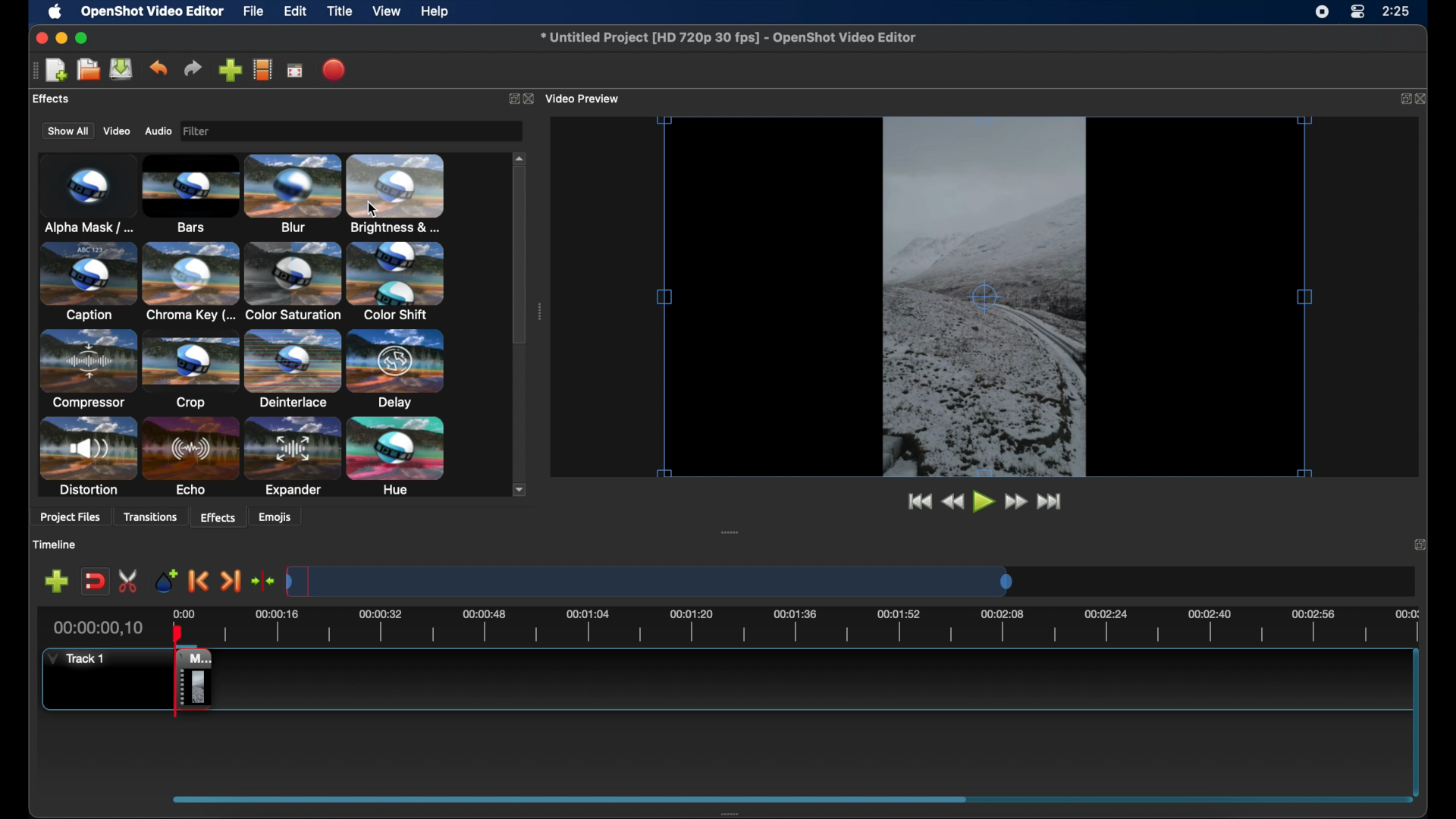 This screenshot has width=1456, height=819. What do you see at coordinates (1420, 543) in the screenshot?
I see `close` at bounding box center [1420, 543].